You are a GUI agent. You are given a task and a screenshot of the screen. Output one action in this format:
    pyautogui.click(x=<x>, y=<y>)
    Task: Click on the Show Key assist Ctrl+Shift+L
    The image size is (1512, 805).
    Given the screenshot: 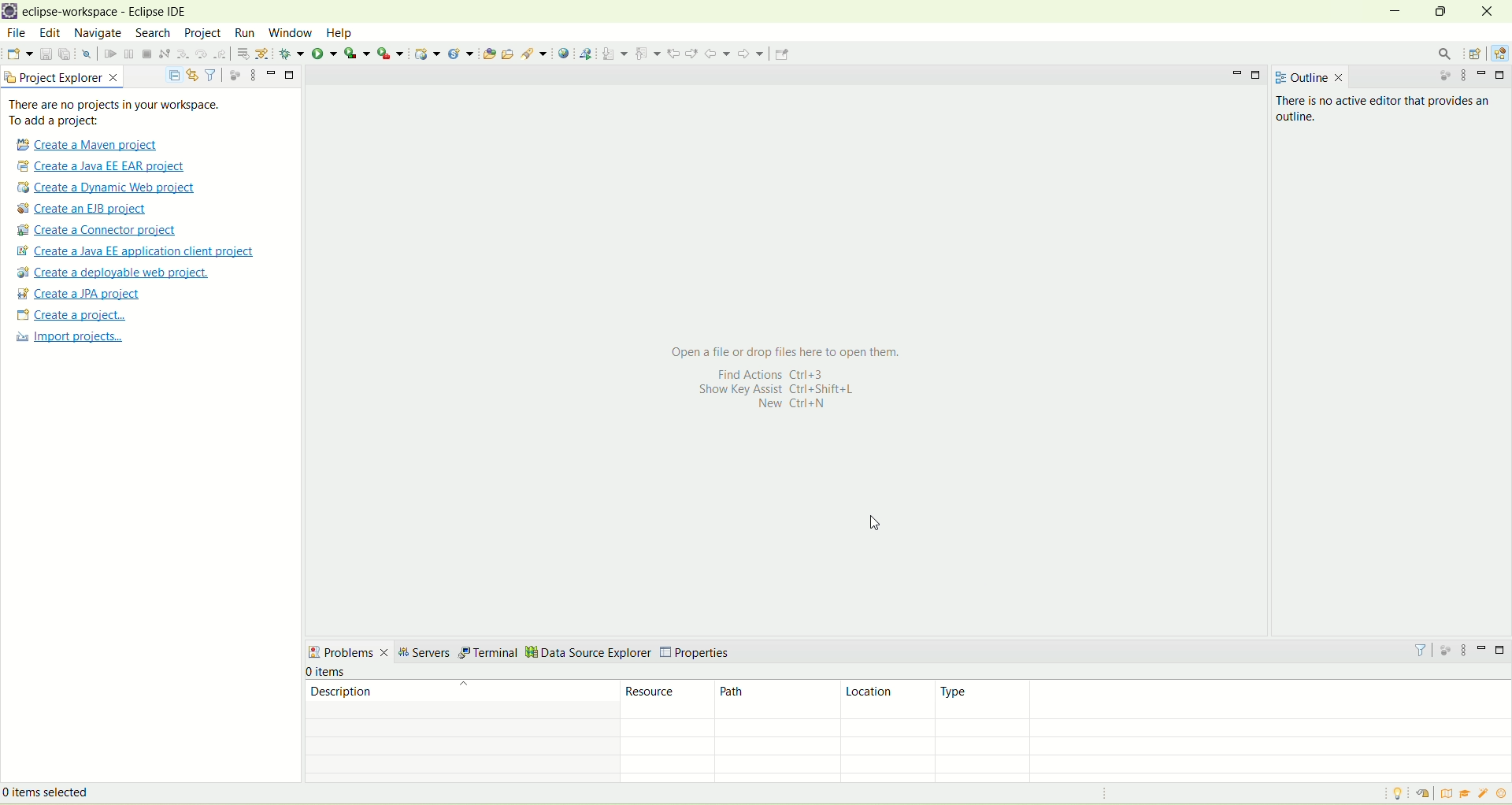 What is the action you would take?
    pyautogui.click(x=772, y=390)
    